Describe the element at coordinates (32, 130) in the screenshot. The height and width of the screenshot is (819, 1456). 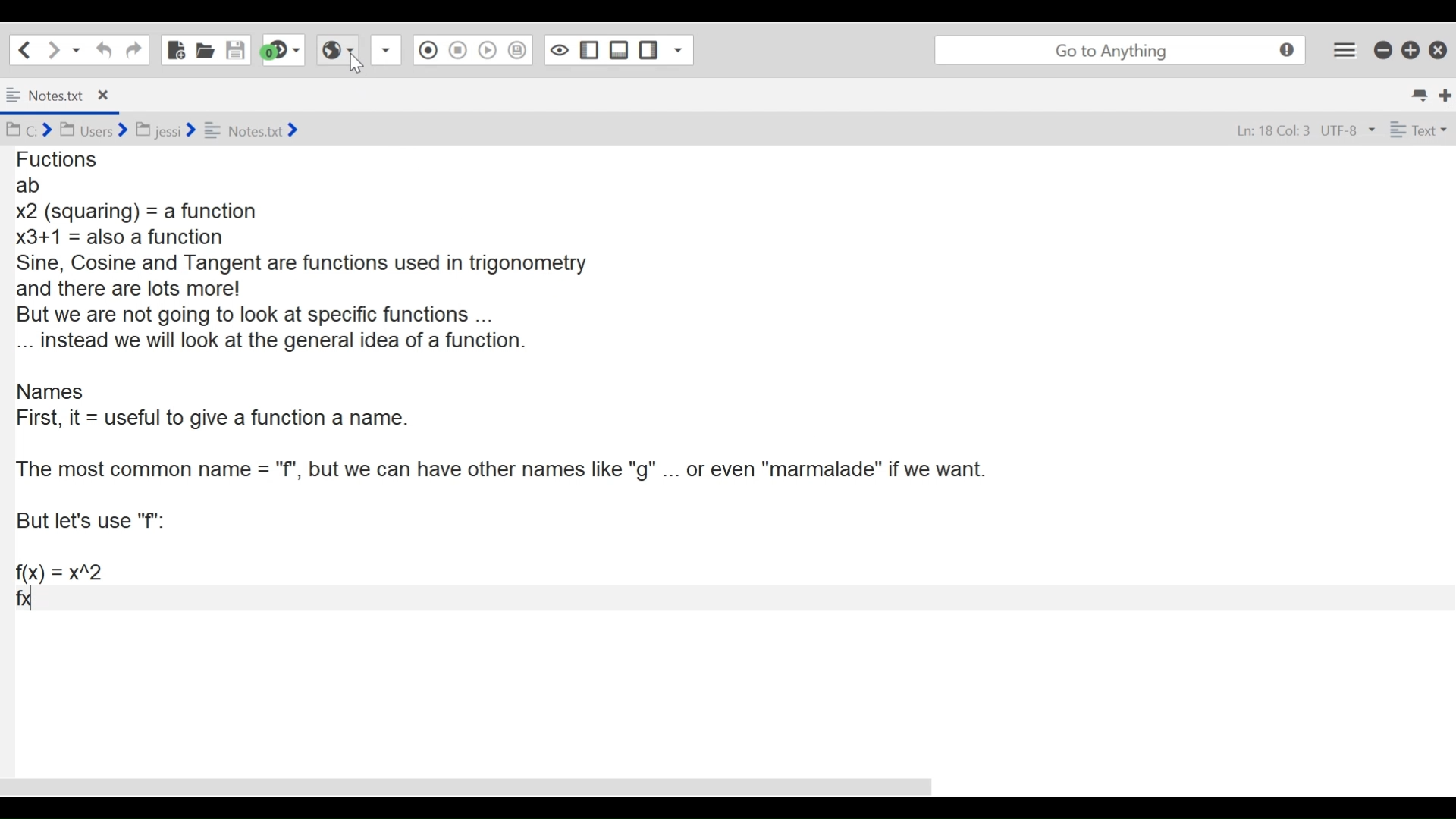
I see `c:` at that location.